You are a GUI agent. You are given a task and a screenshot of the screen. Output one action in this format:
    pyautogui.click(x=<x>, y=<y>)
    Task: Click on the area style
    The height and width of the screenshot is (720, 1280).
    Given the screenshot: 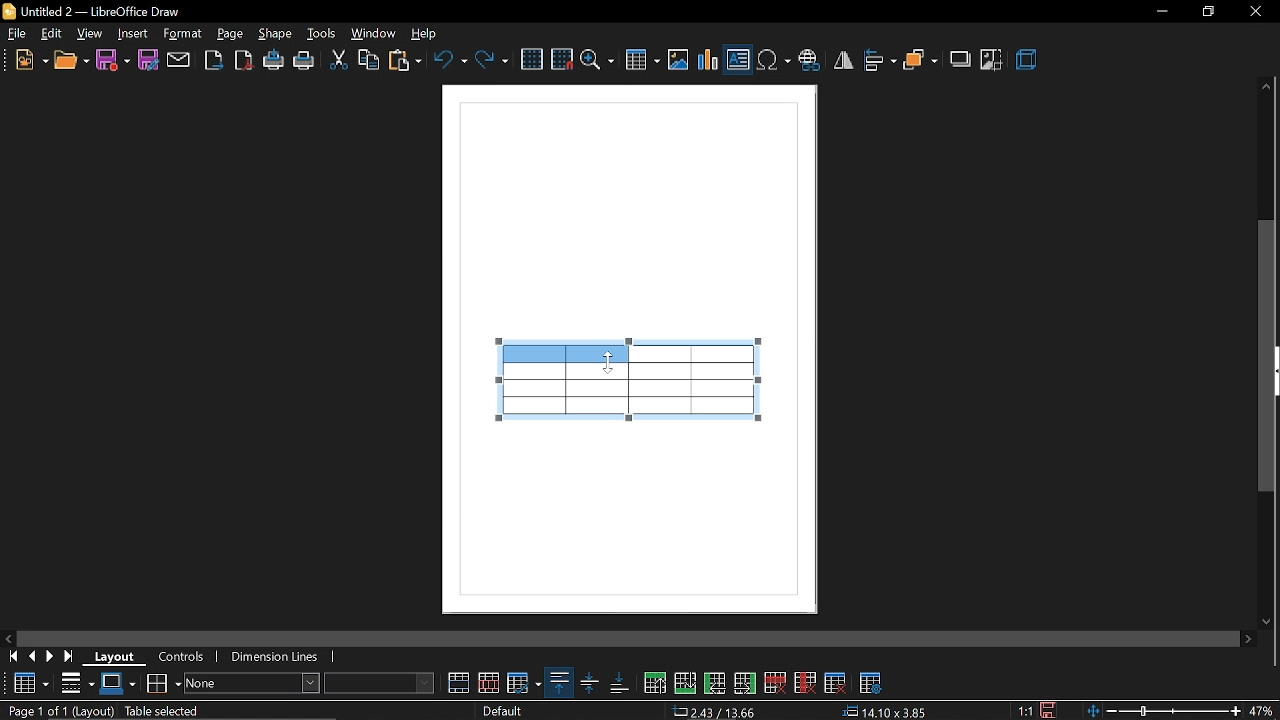 What is the action you would take?
    pyautogui.click(x=253, y=685)
    